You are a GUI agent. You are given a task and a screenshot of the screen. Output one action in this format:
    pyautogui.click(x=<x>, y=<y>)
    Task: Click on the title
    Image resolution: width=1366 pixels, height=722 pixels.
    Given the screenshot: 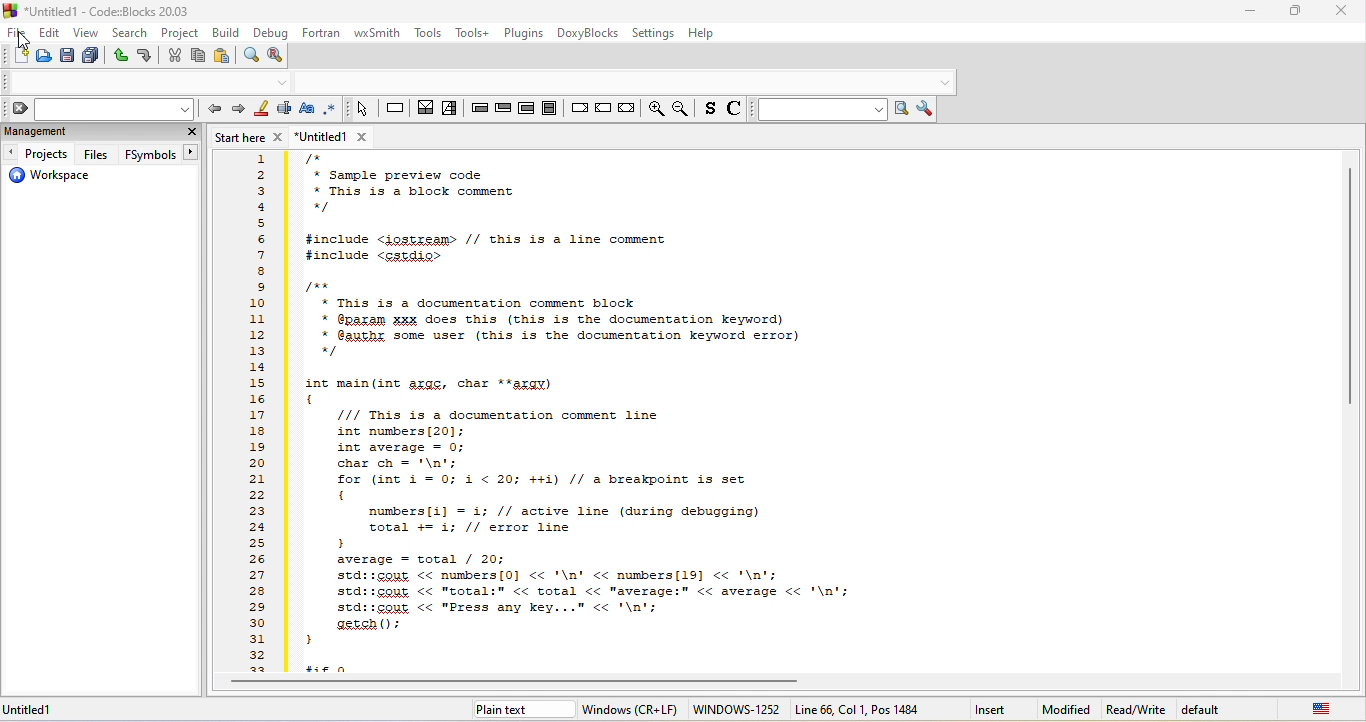 What is the action you would take?
    pyautogui.click(x=103, y=11)
    